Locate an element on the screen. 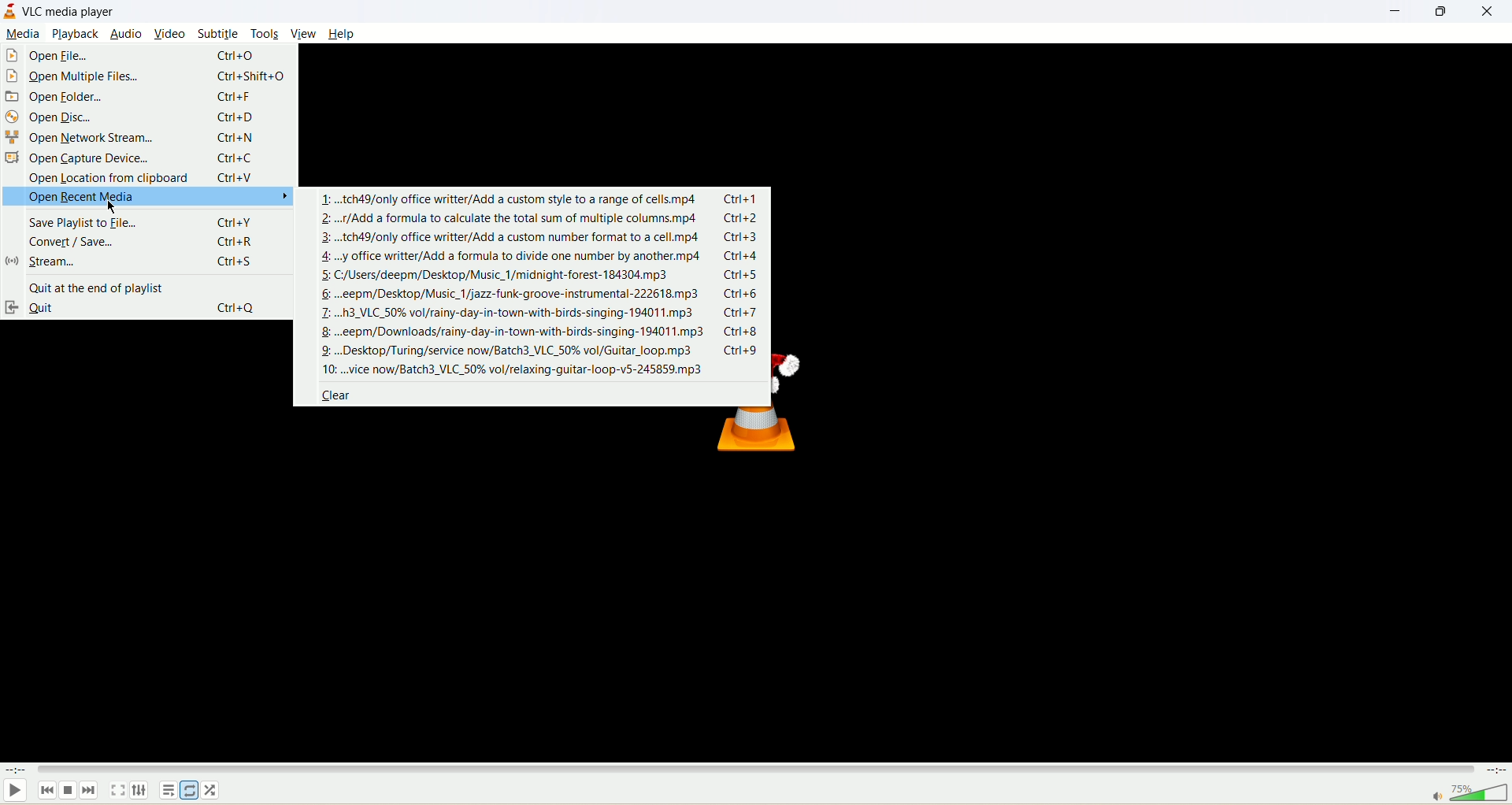  open capture device is located at coordinates (87, 157).